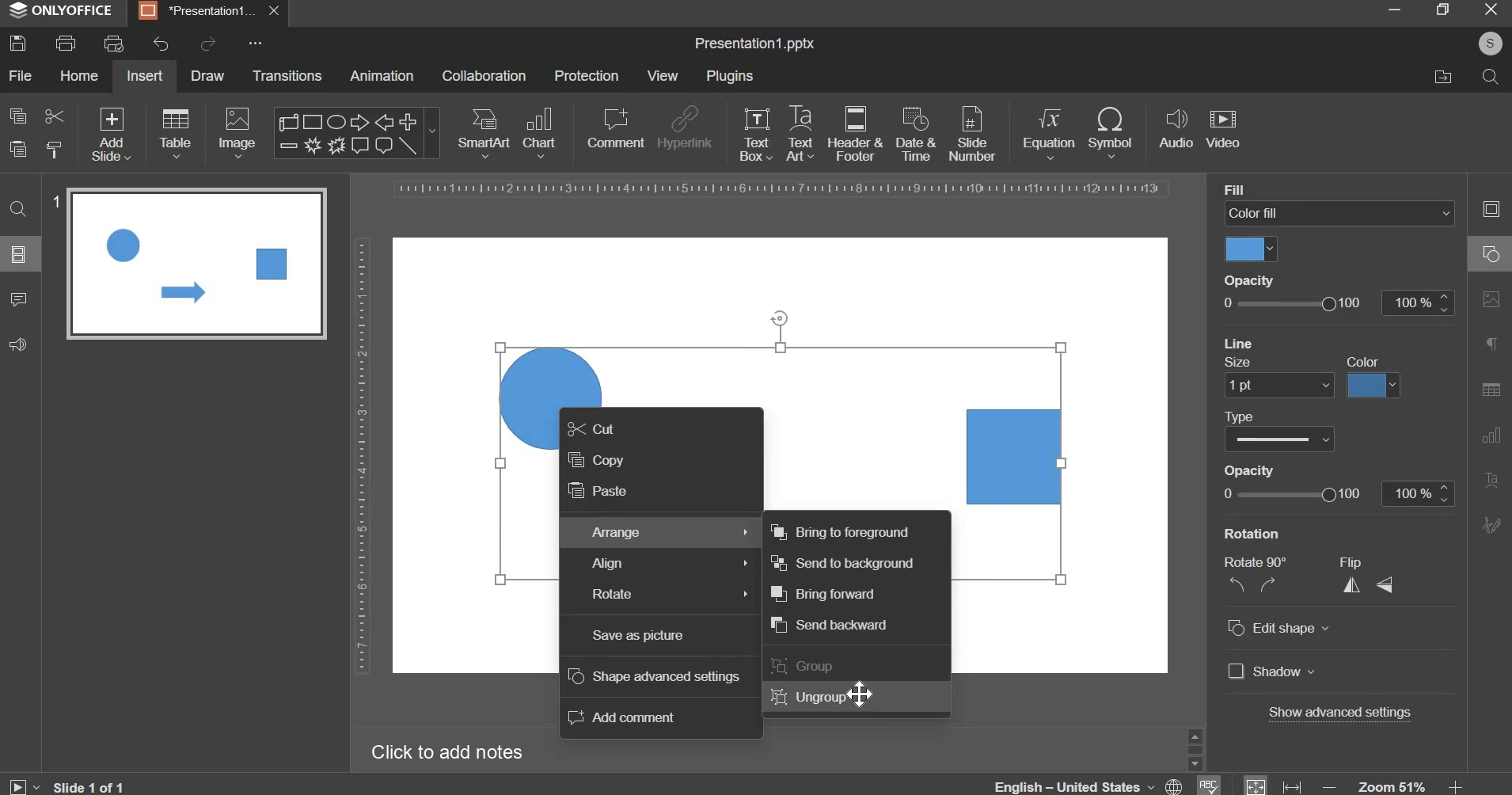  What do you see at coordinates (729, 76) in the screenshot?
I see `plugins` at bounding box center [729, 76].